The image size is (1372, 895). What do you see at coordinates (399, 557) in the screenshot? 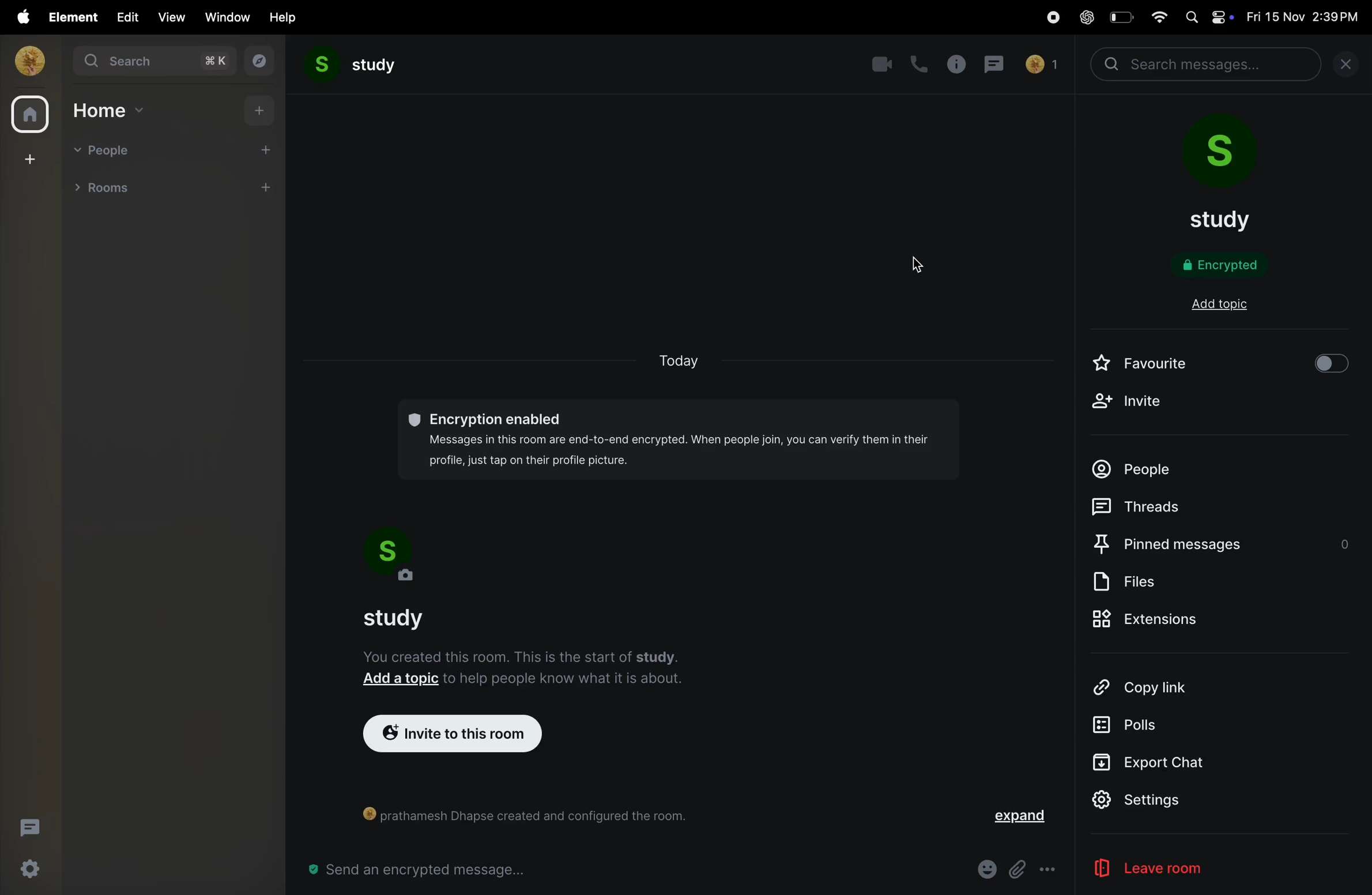
I see `room profile pic` at bounding box center [399, 557].